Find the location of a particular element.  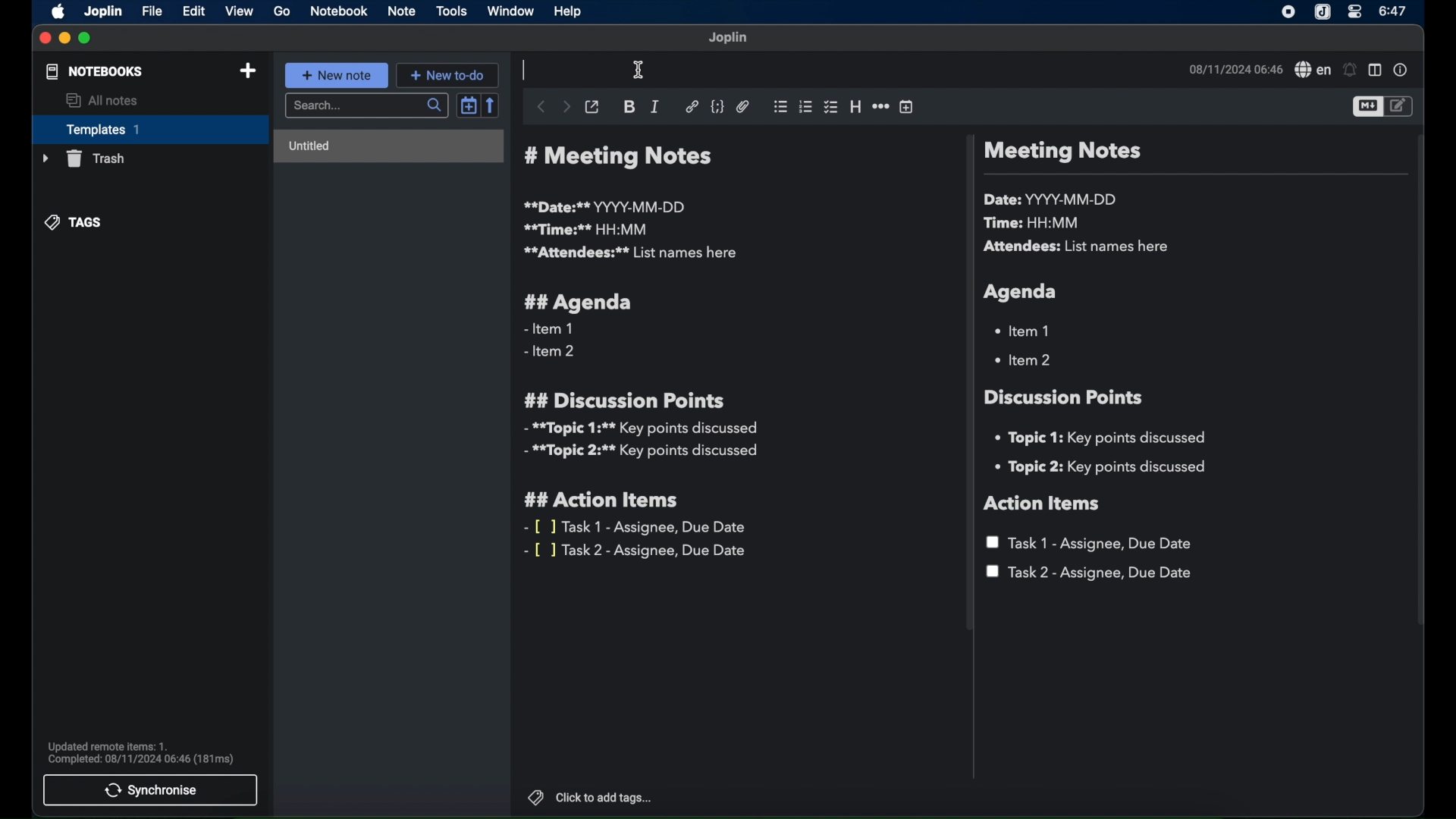

topic 2: key points discussed is located at coordinates (1102, 467).